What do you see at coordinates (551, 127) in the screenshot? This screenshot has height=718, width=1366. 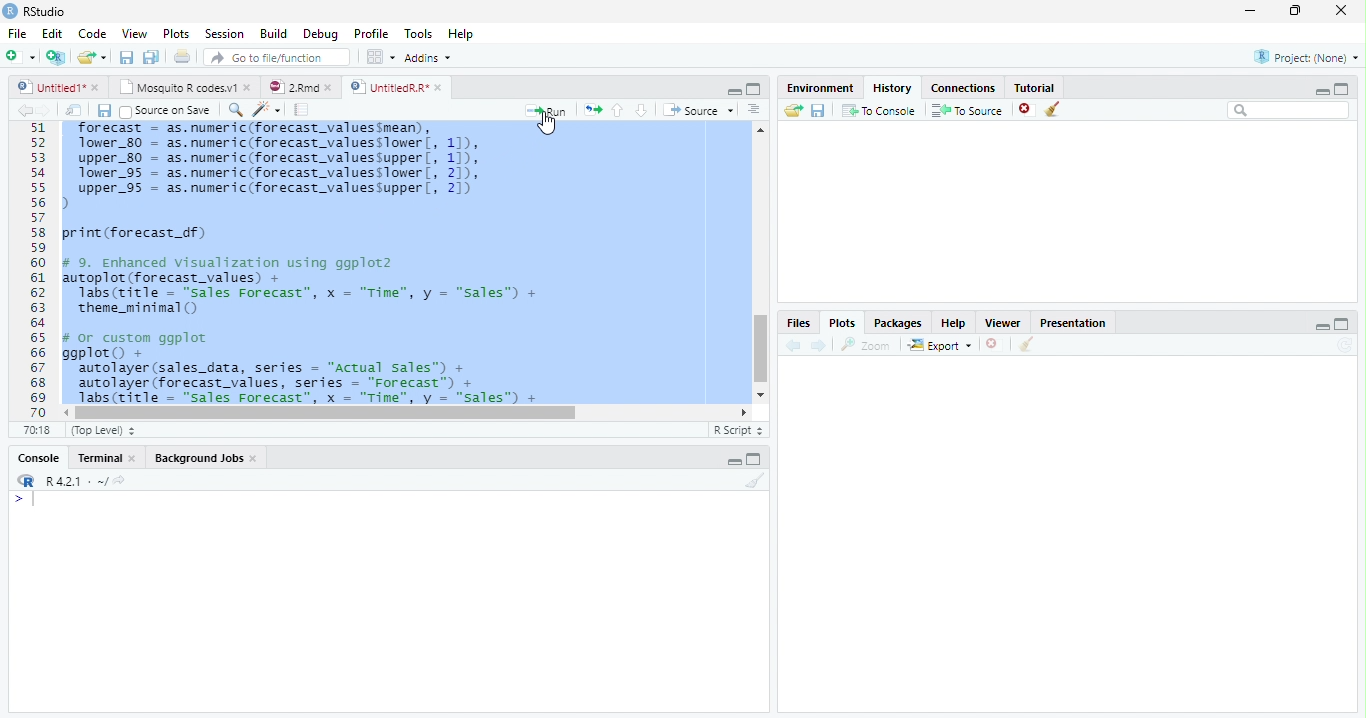 I see `Cursor` at bounding box center [551, 127].